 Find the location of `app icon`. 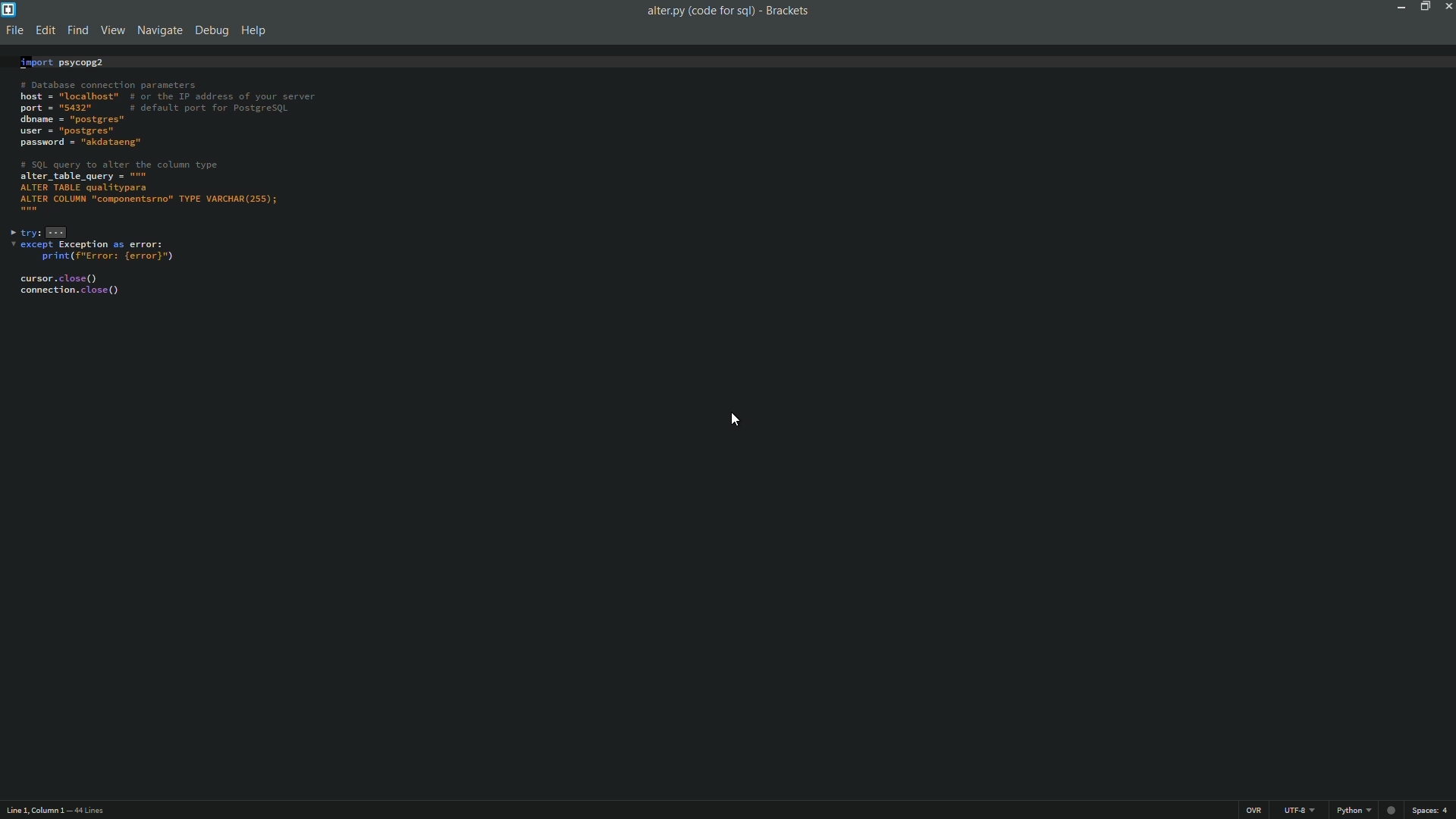

app icon is located at coordinates (9, 9).